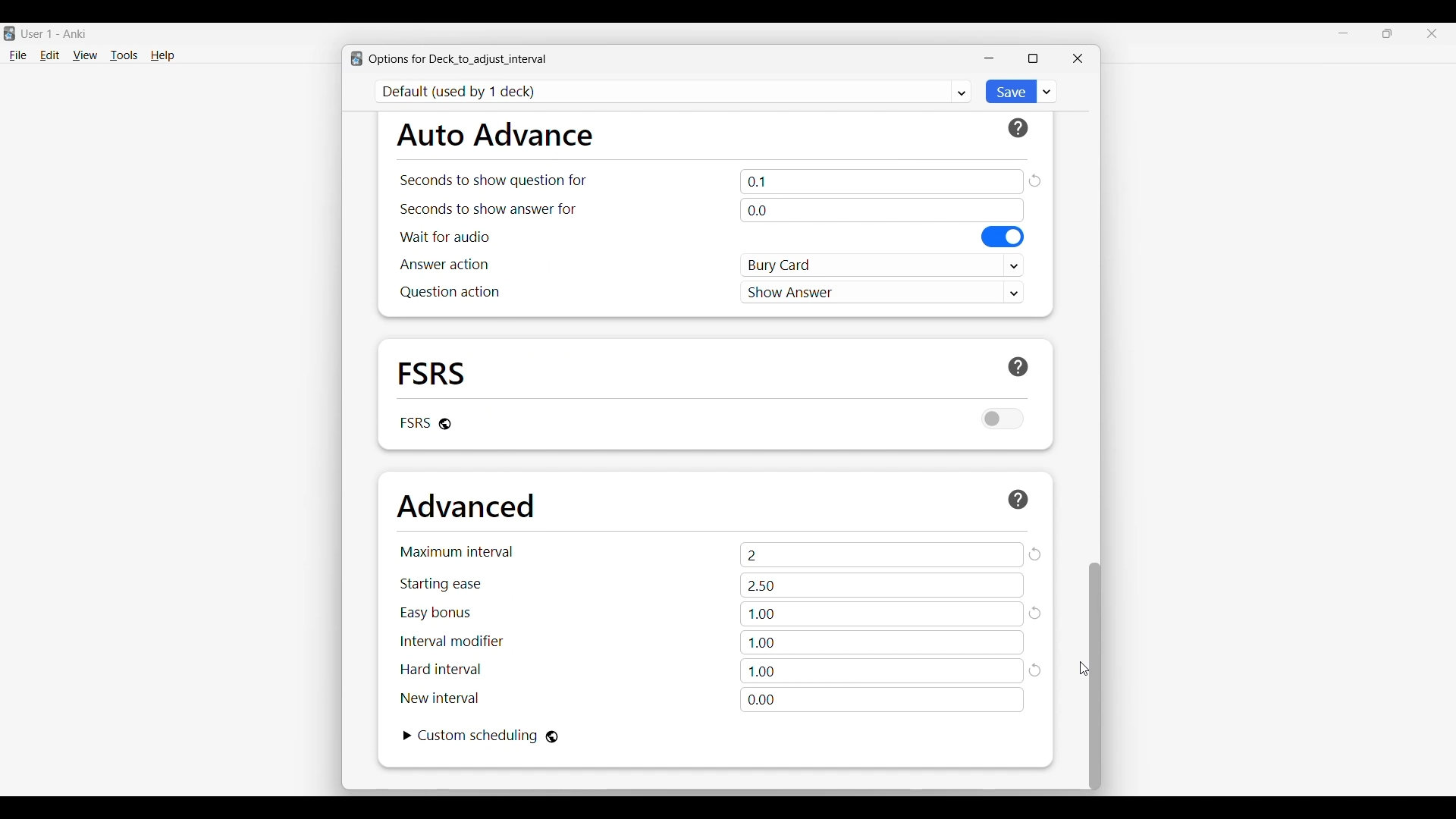  Describe the element at coordinates (479, 736) in the screenshot. I see `Indicates custom scheduling` at that location.